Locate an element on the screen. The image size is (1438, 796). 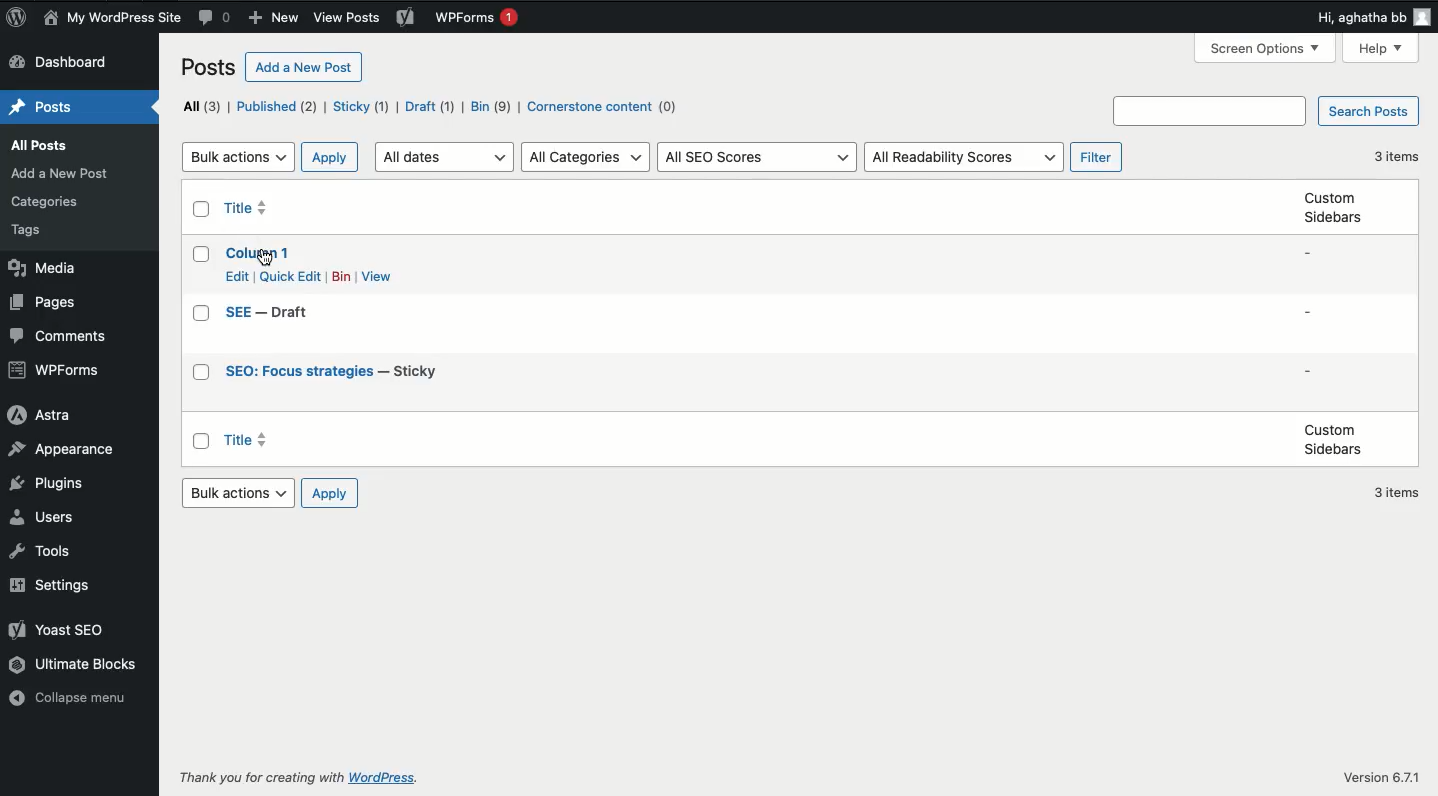
Filter is located at coordinates (1096, 155).